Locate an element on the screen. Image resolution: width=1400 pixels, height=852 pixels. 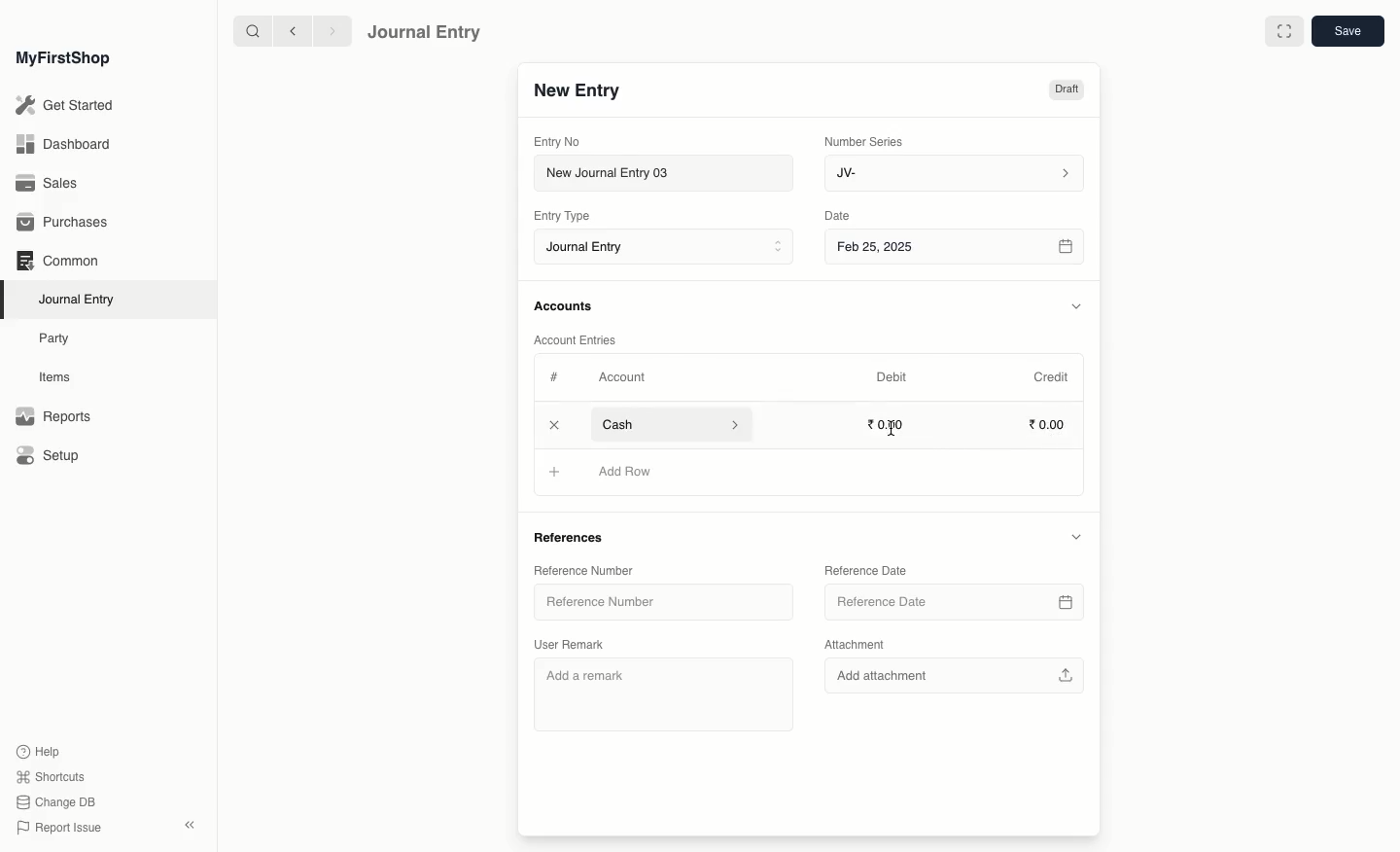
Party is located at coordinates (55, 337).